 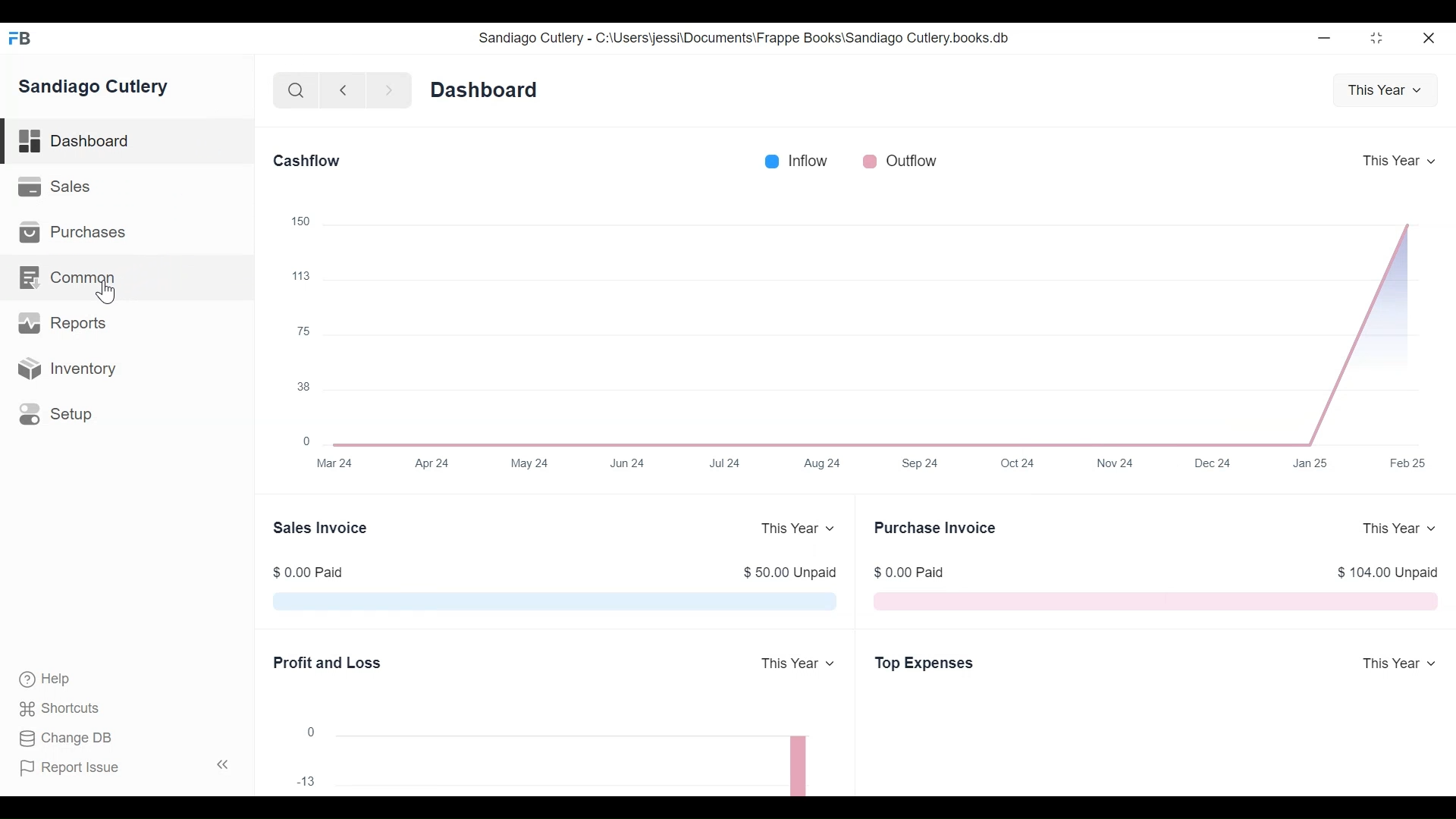 I want to click on Frappe Books Desktop icon, so click(x=19, y=38).